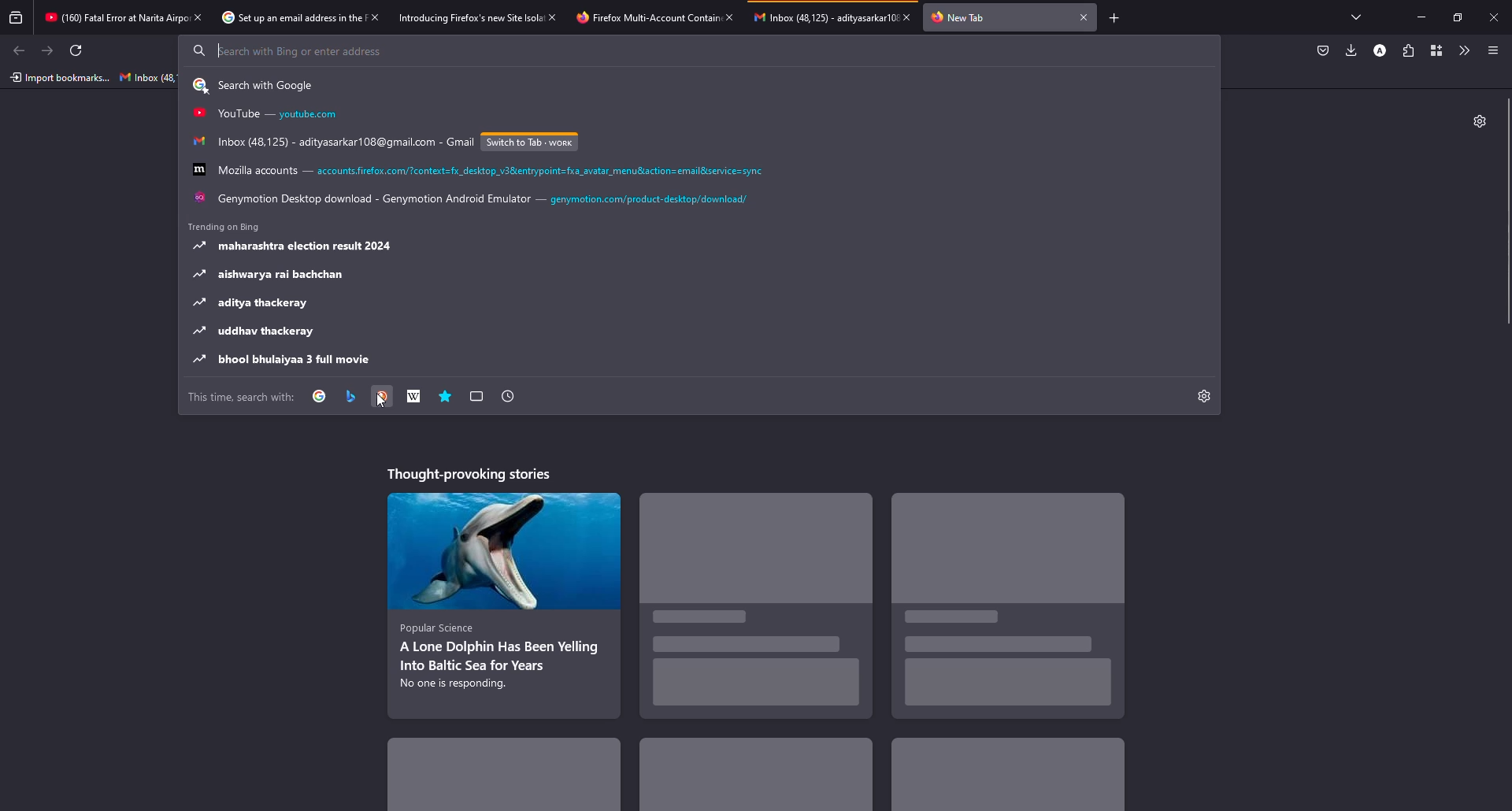  What do you see at coordinates (376, 17) in the screenshot?
I see `close` at bounding box center [376, 17].